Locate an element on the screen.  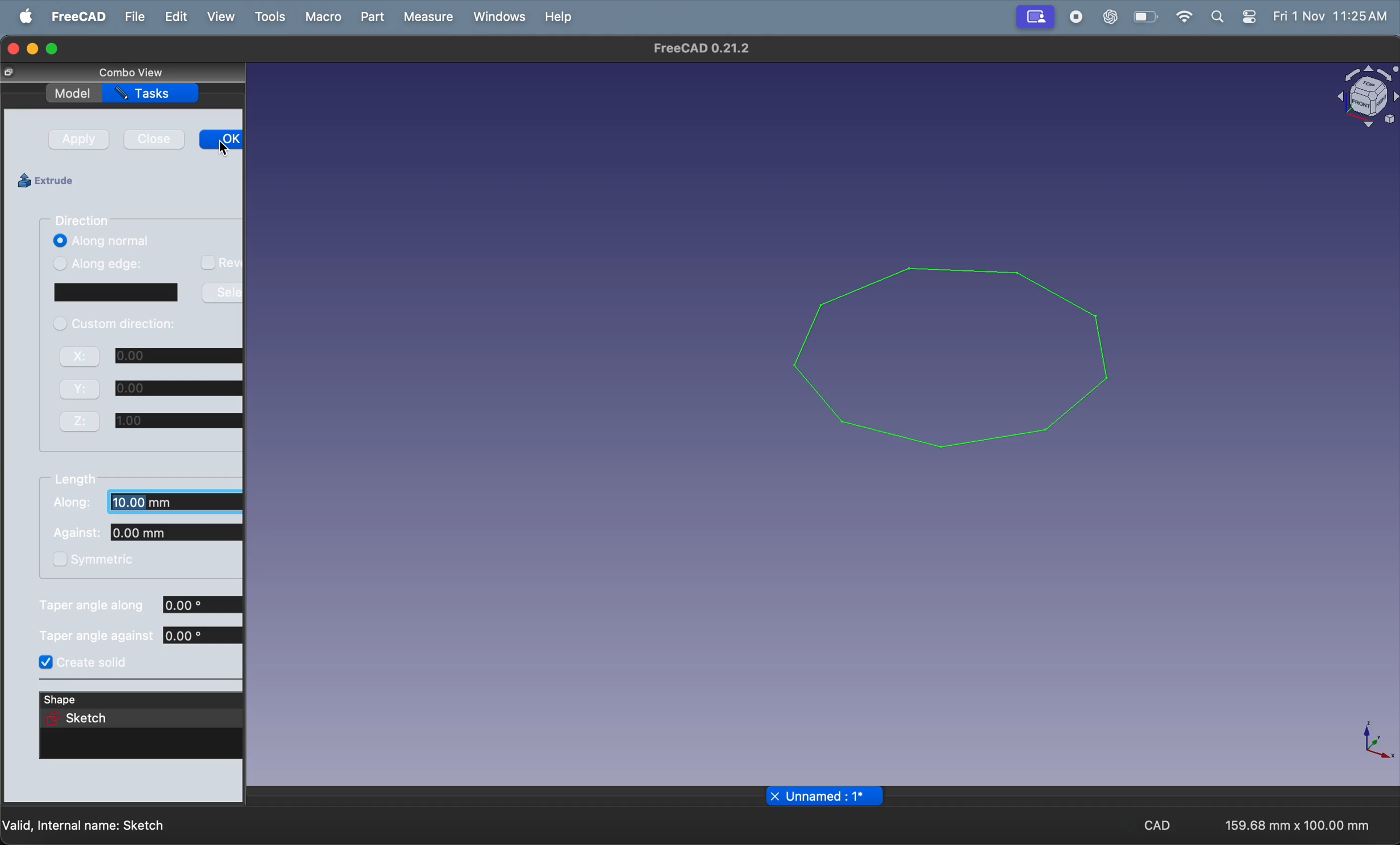
view is located at coordinates (219, 17).